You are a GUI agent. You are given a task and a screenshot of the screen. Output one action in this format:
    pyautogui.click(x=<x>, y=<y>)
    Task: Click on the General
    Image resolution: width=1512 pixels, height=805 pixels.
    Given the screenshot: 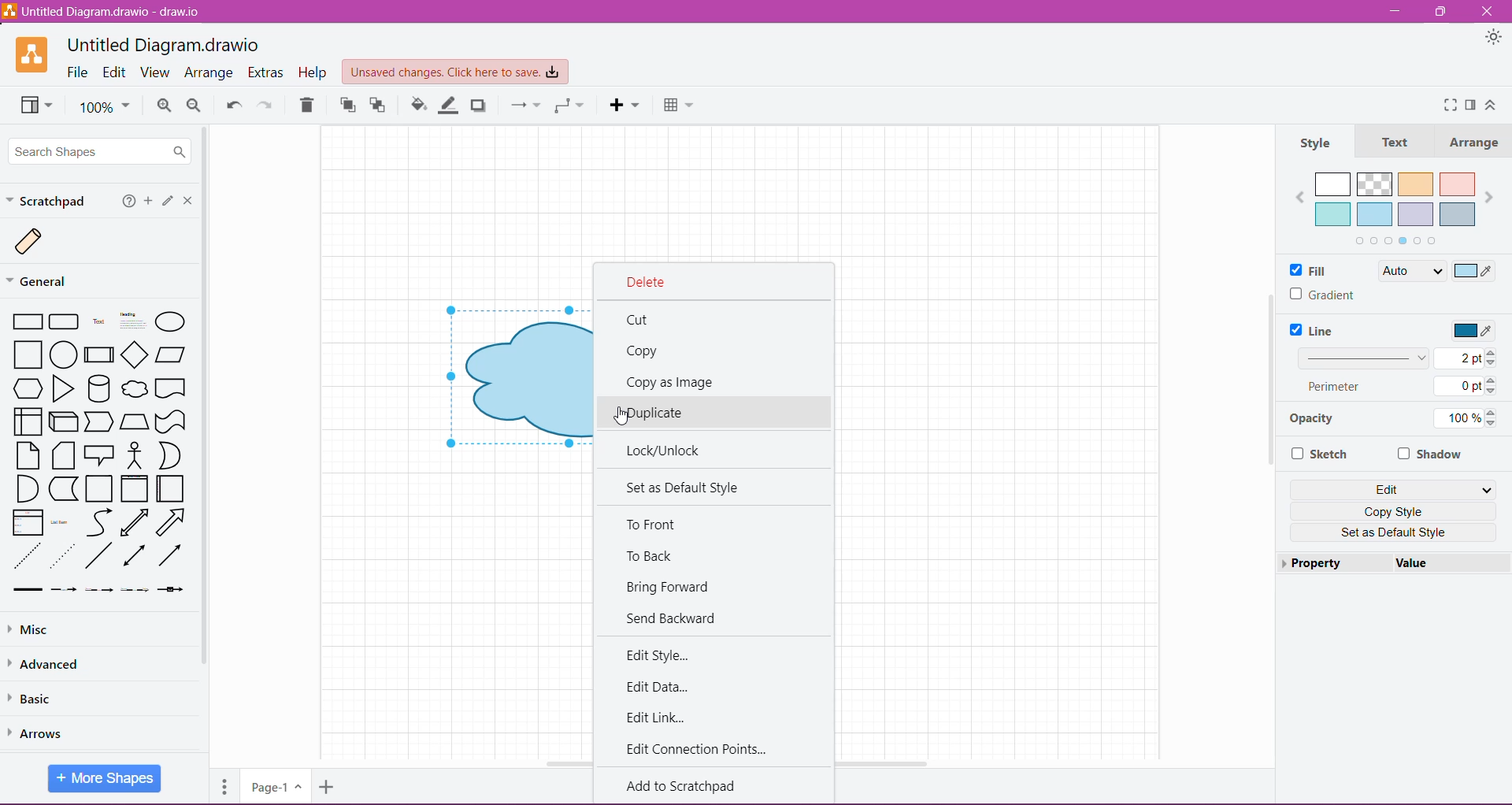 What is the action you would take?
    pyautogui.click(x=46, y=280)
    